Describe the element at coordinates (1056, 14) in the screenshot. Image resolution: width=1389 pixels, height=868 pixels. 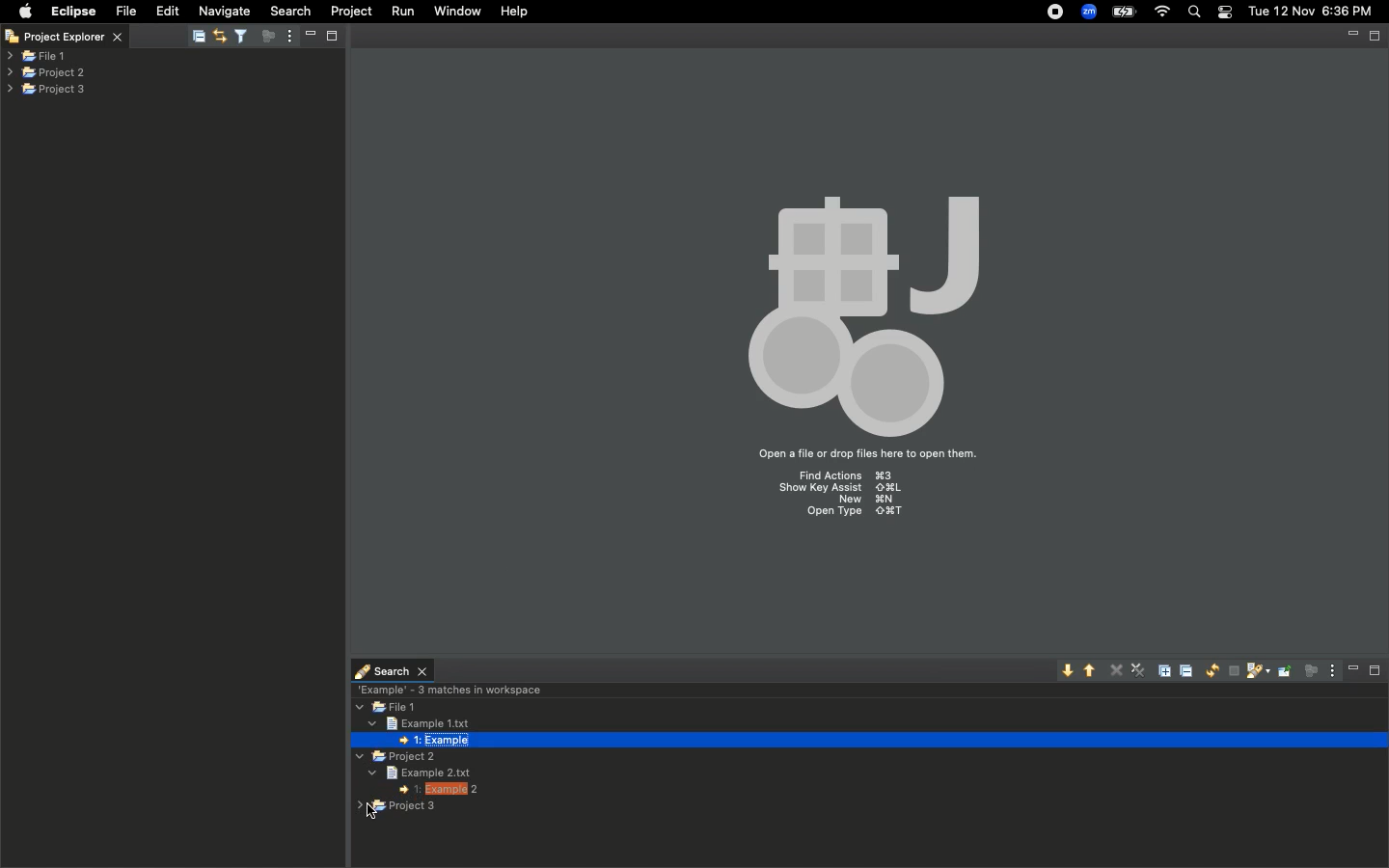
I see `Recording` at that location.